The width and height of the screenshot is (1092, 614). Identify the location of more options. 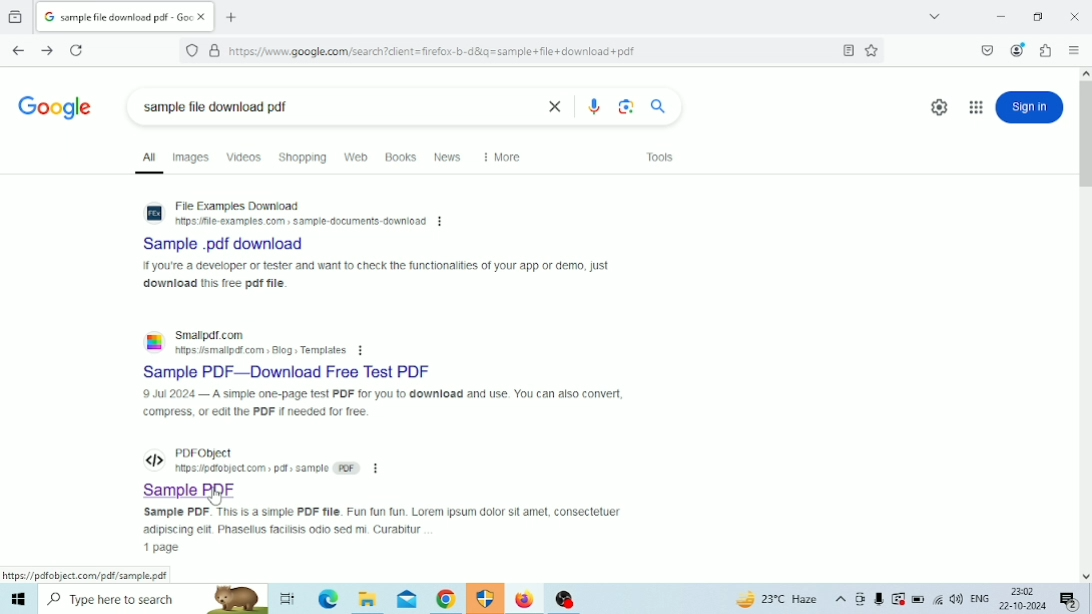
(361, 350).